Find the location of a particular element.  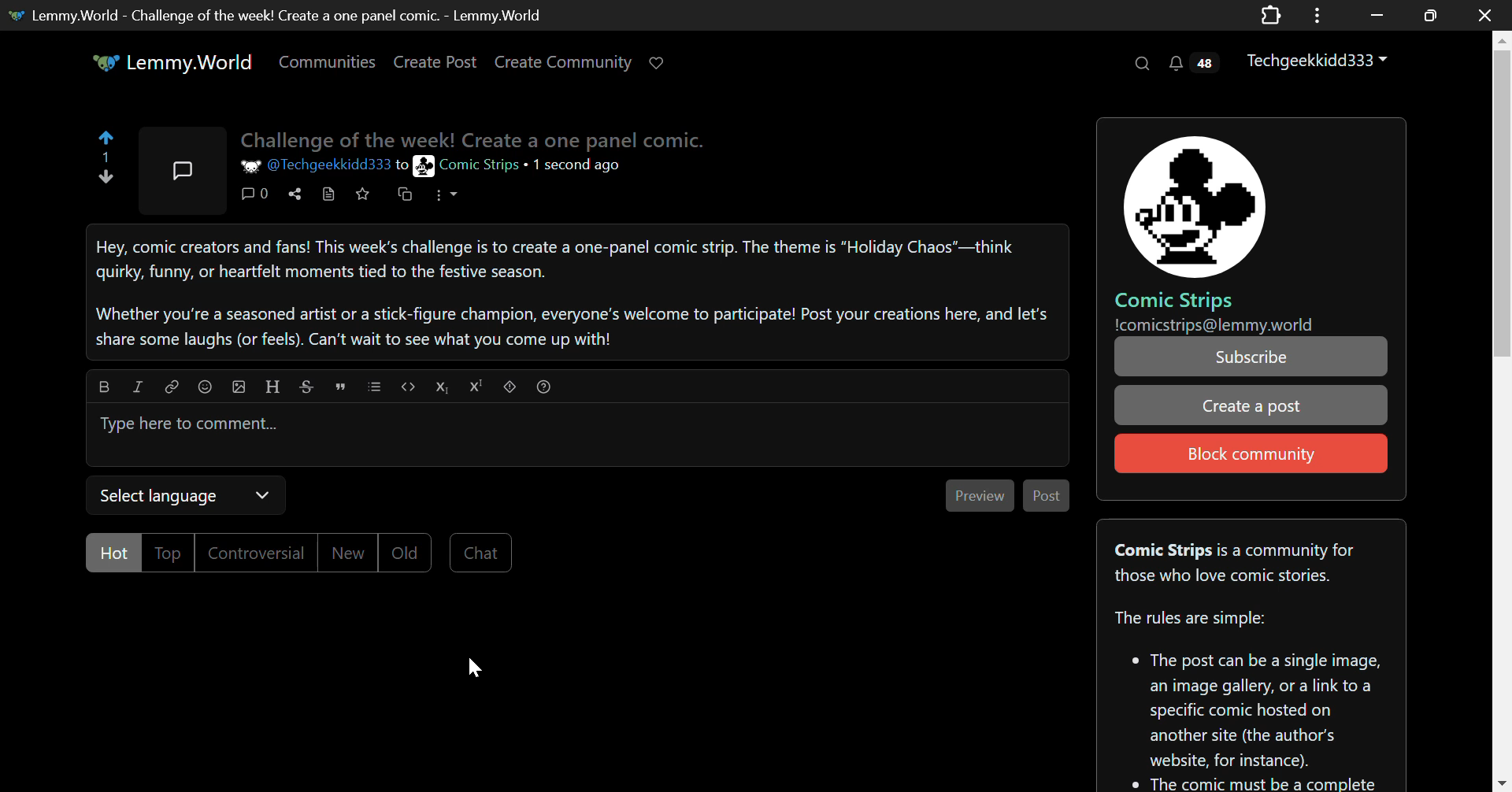

Comic Strips Community PFP is located at coordinates (1186, 199).